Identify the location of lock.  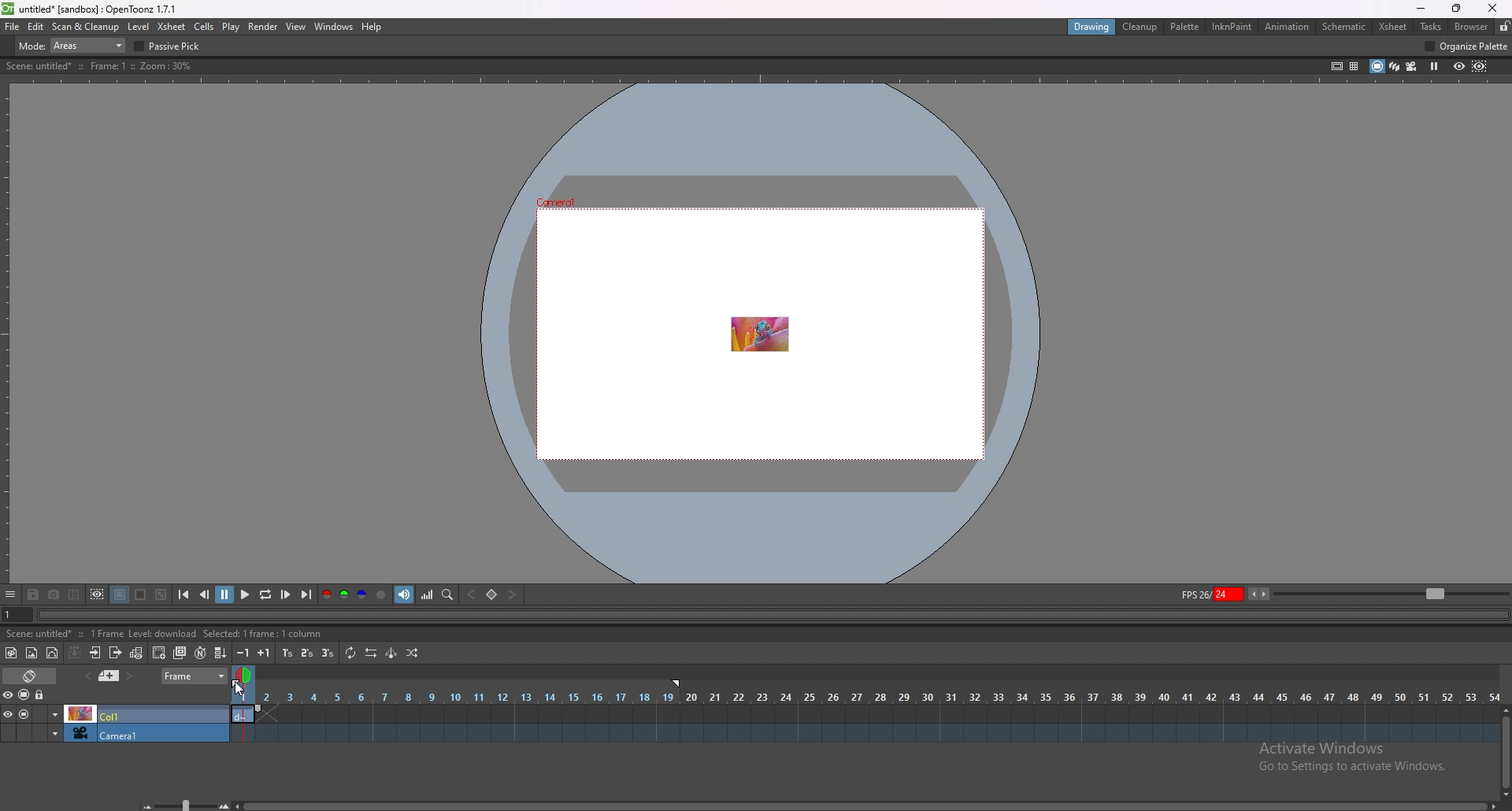
(1504, 26).